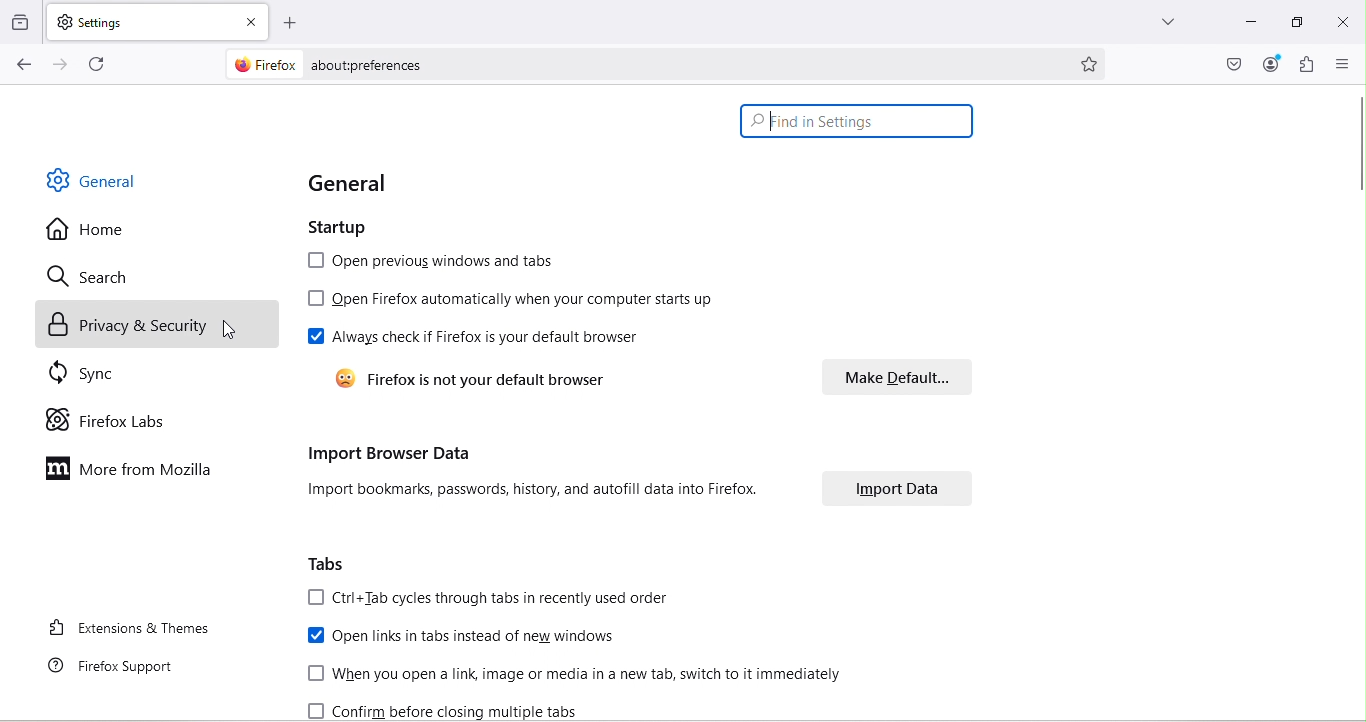  I want to click on Open firefox automatically when your computer starts up, so click(510, 300).